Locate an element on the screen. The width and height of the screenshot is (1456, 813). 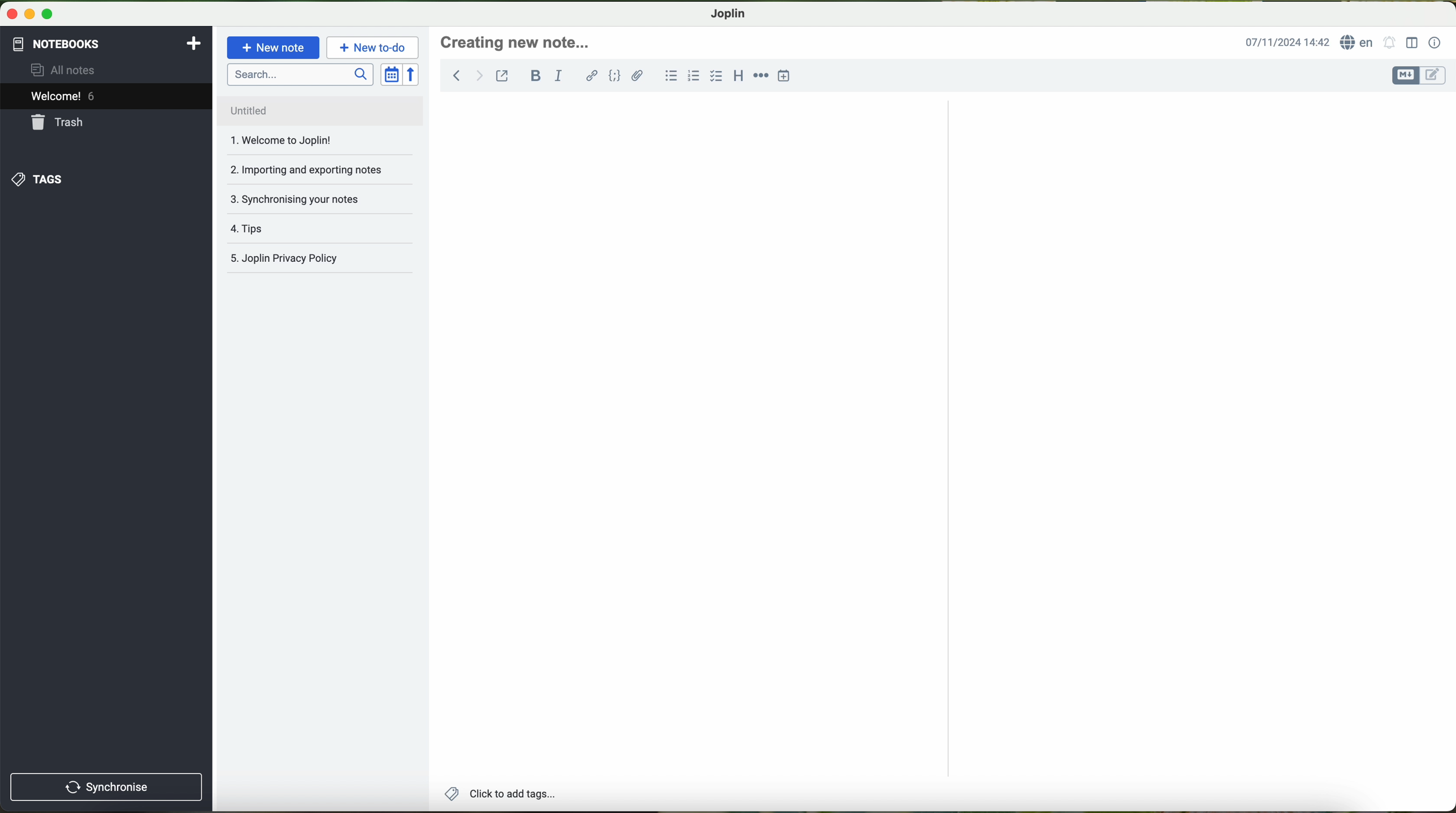
click on heading is located at coordinates (518, 45).